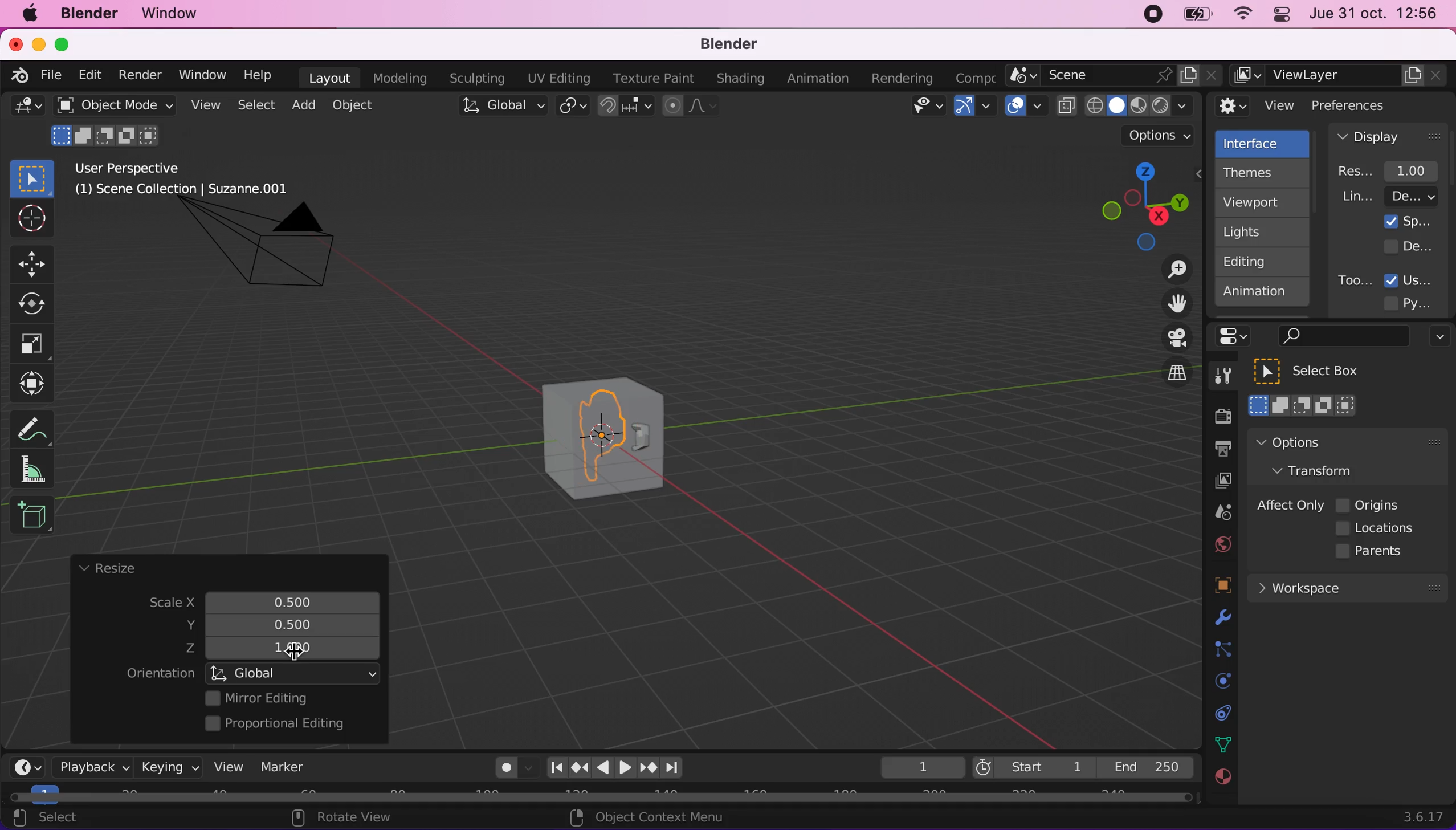  I want to click on z, so click(281, 648).